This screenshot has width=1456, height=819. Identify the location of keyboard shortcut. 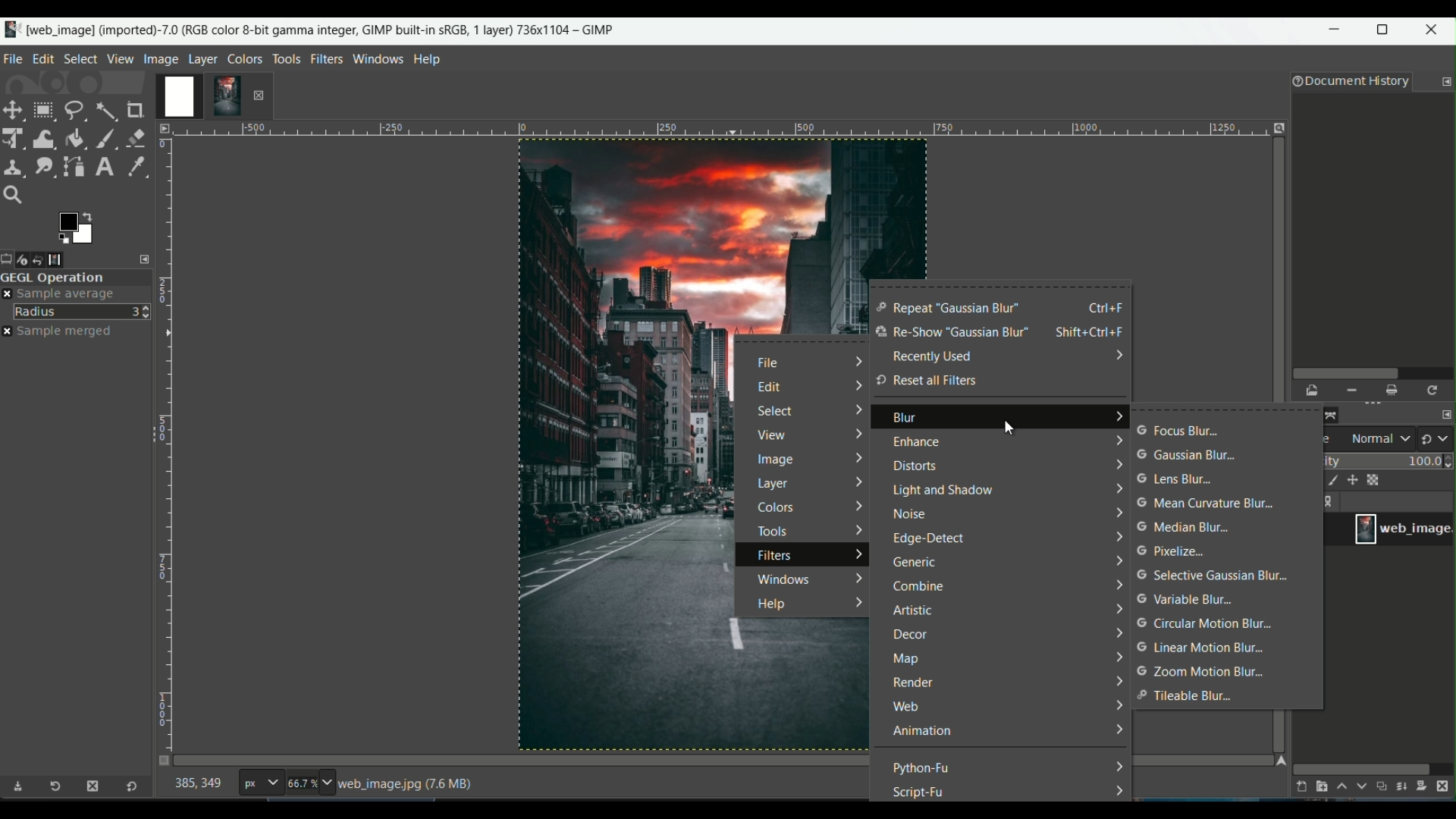
(1094, 333).